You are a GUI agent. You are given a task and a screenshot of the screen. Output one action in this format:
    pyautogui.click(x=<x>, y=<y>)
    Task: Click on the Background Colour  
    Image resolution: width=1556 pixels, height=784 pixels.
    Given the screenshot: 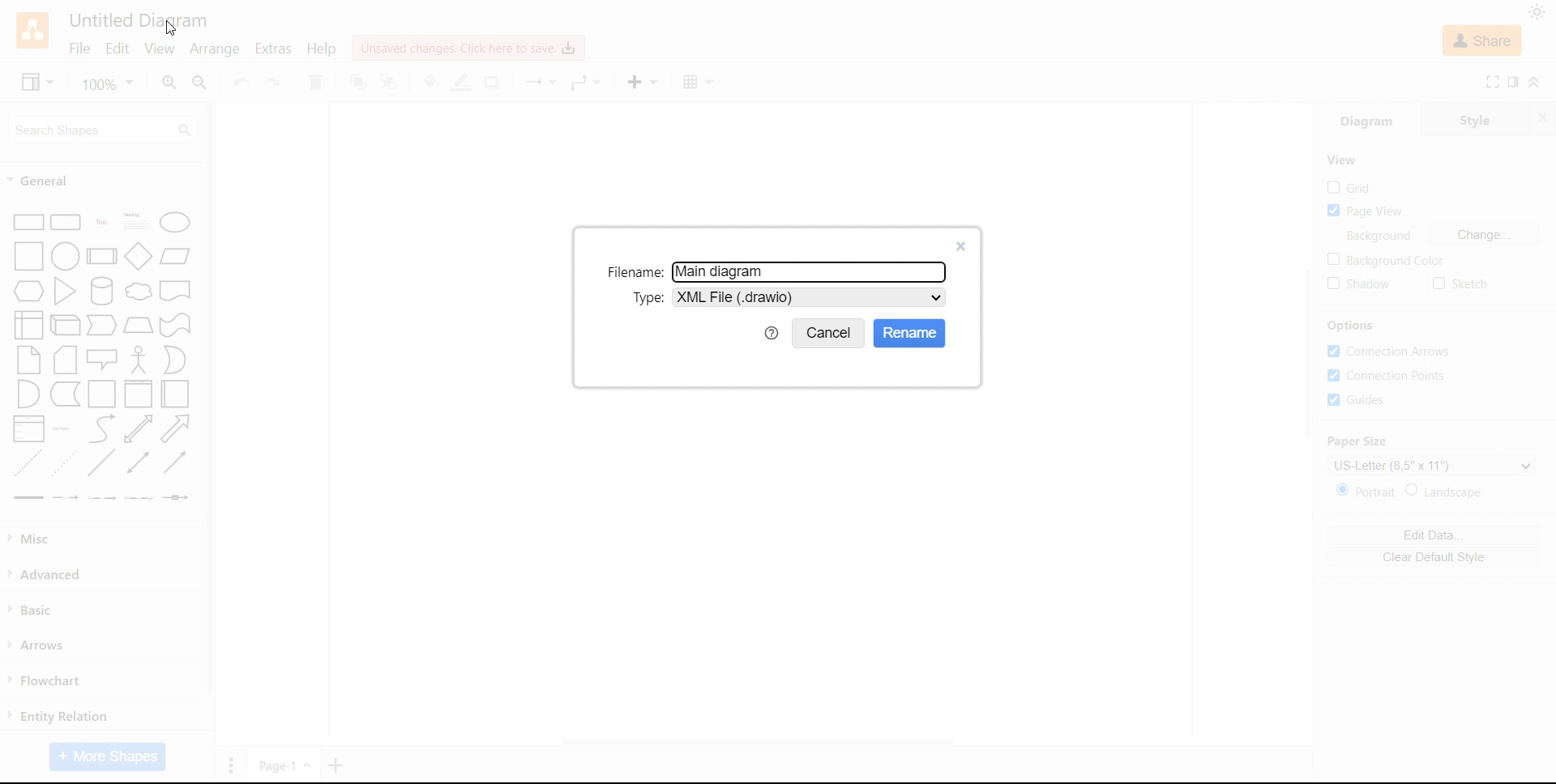 What is the action you would take?
    pyautogui.click(x=1384, y=260)
    